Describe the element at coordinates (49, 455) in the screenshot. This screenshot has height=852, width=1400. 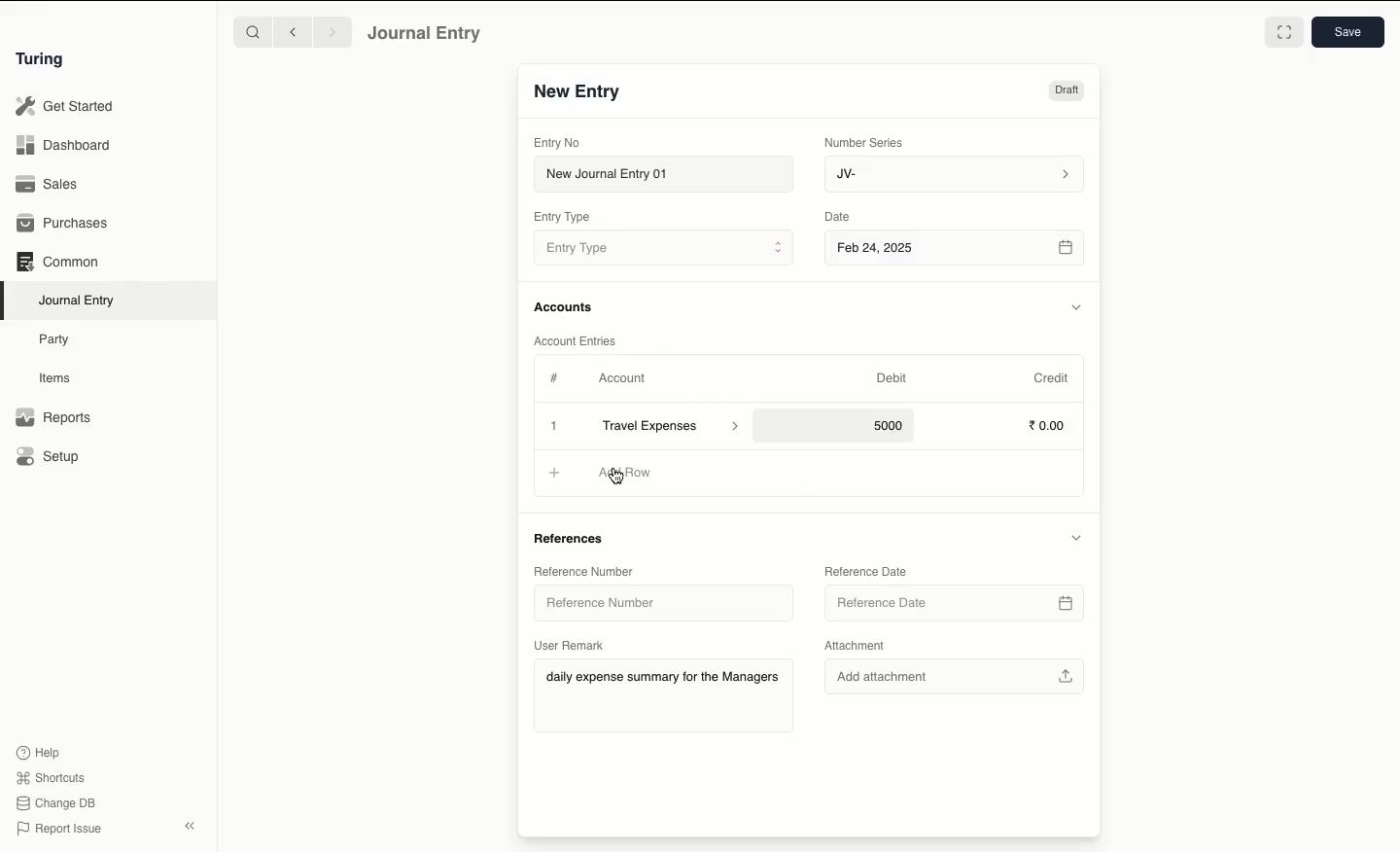
I see `Setup` at that location.